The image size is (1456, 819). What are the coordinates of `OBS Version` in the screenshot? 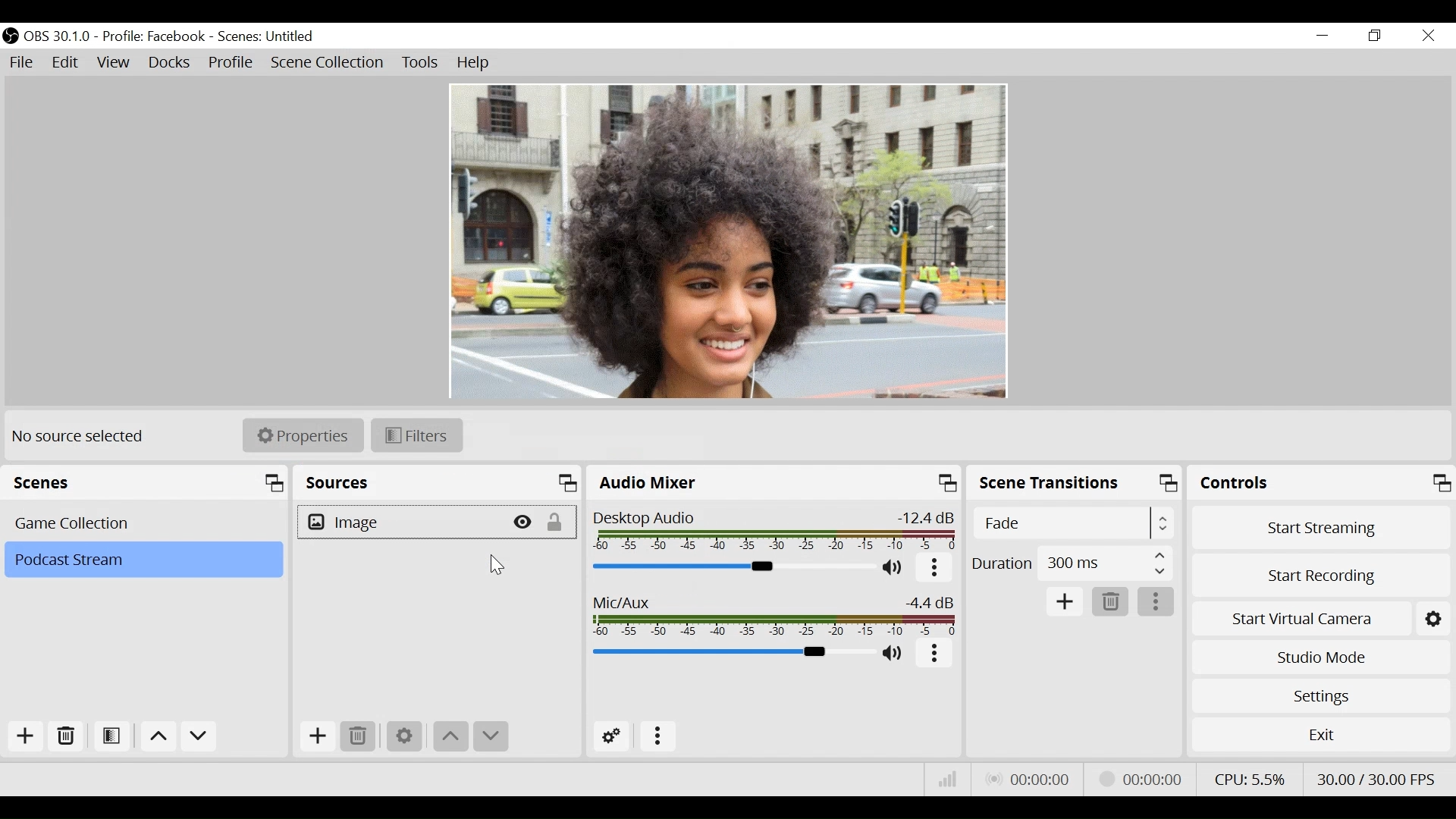 It's located at (58, 37).